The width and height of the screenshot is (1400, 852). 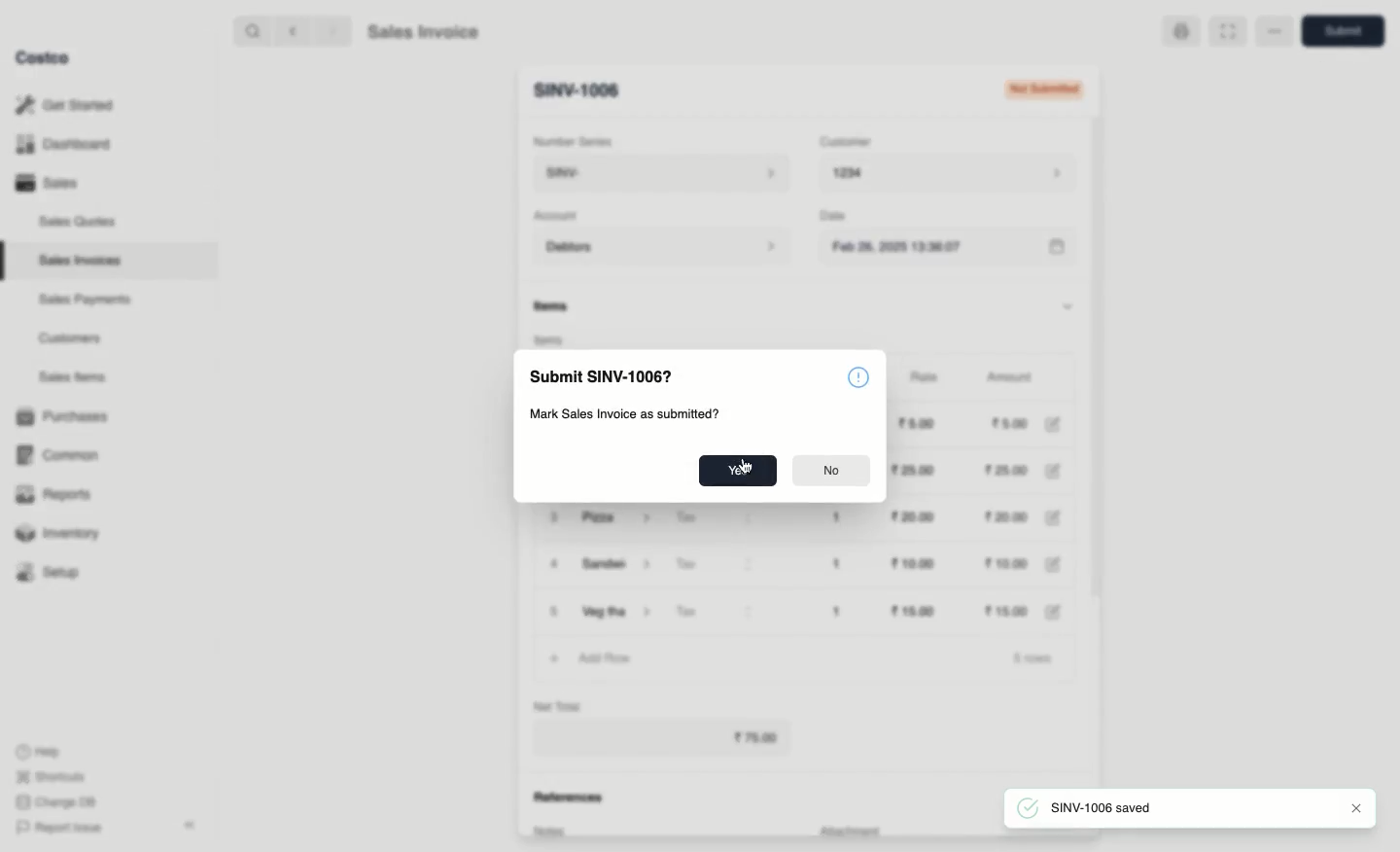 I want to click on Shortcuts, so click(x=50, y=777).